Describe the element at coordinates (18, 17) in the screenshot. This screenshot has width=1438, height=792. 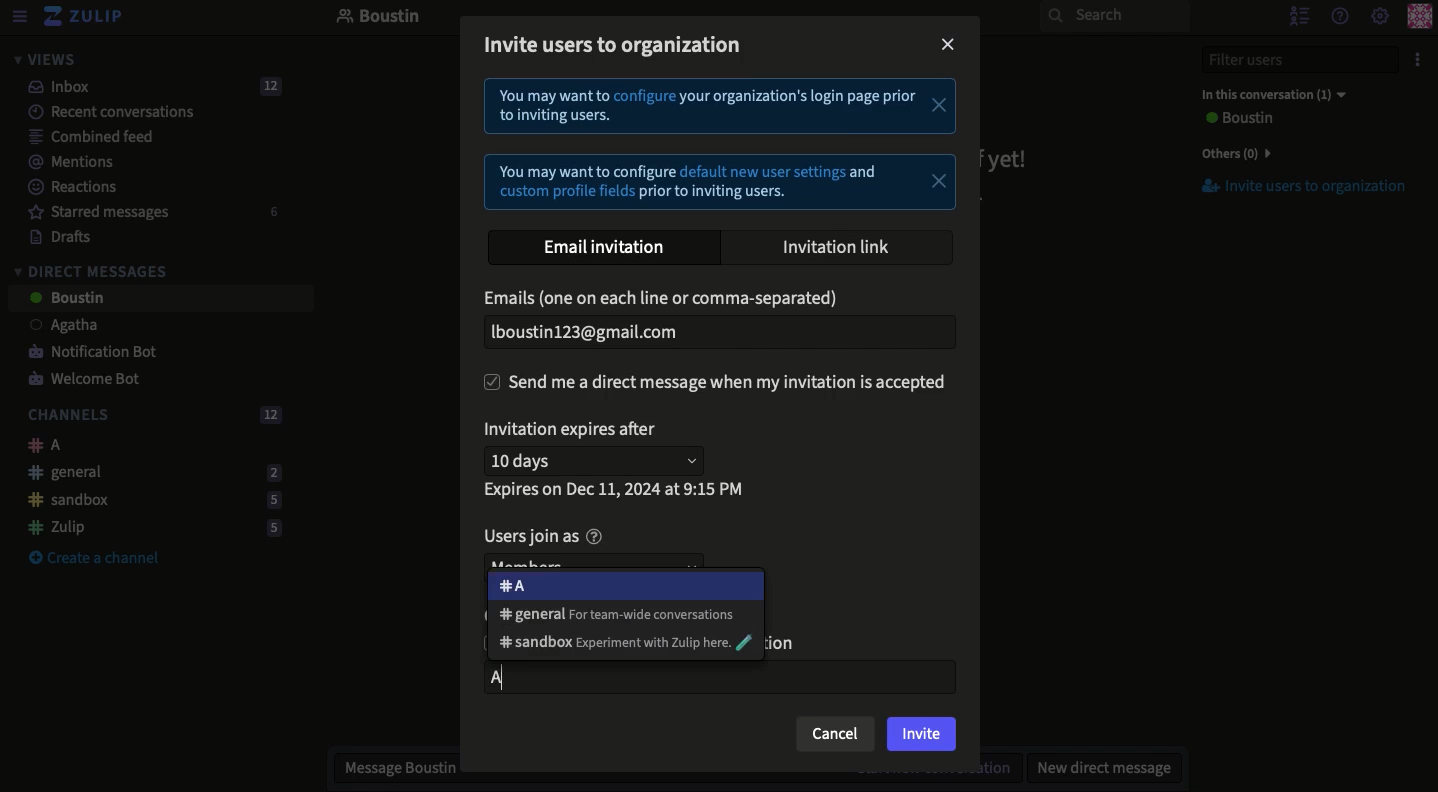
I see `View menu` at that location.